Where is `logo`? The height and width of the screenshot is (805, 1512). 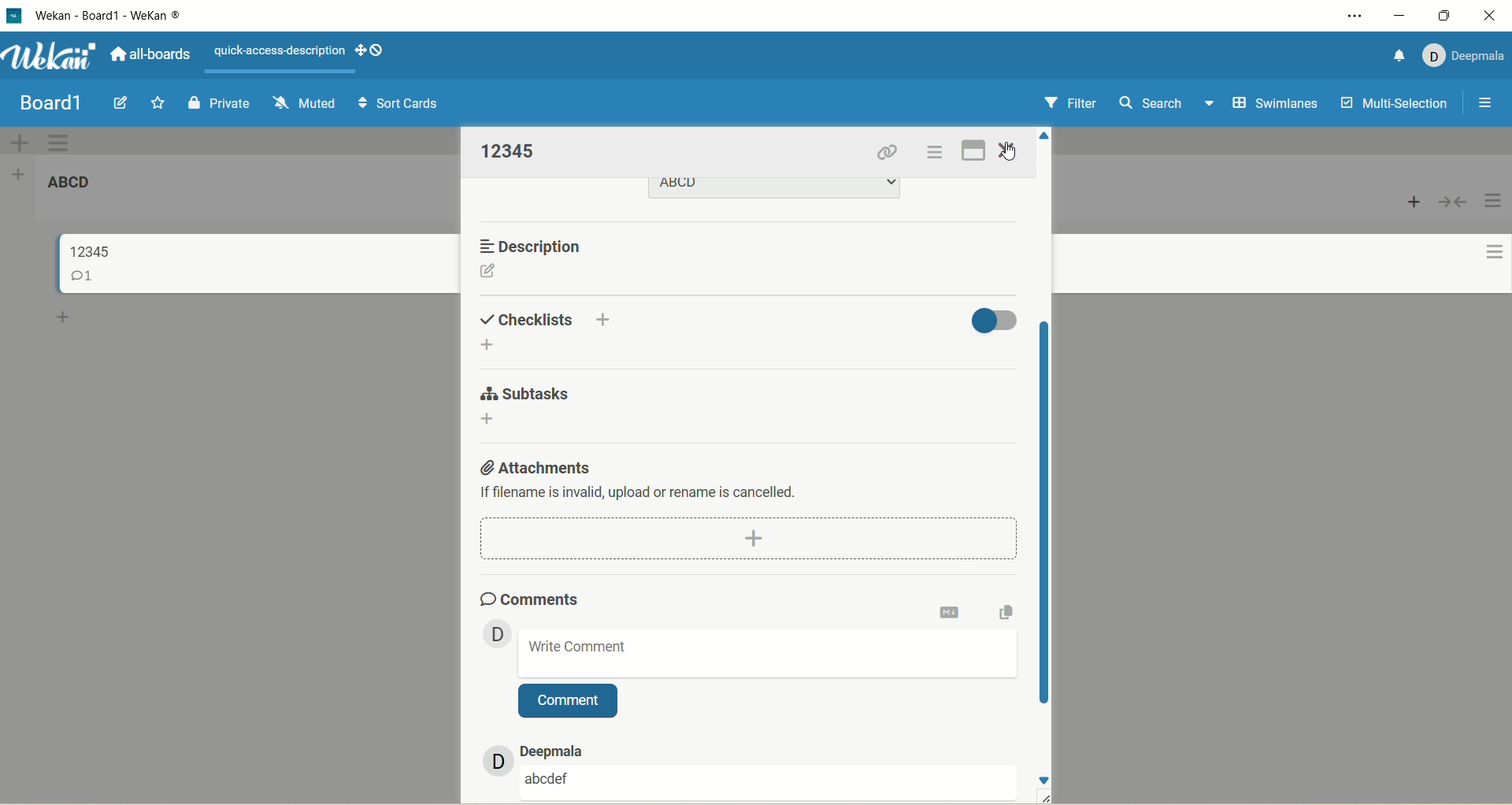 logo is located at coordinates (13, 17).